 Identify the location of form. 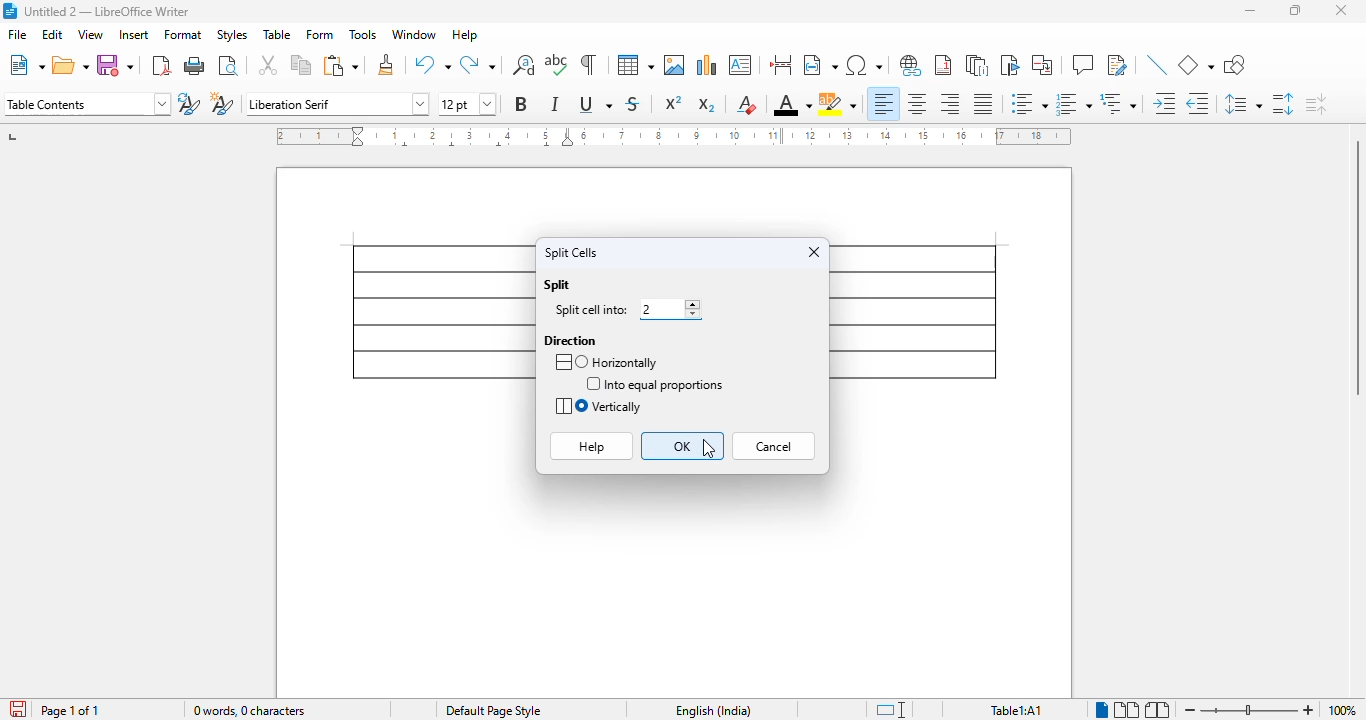
(320, 34).